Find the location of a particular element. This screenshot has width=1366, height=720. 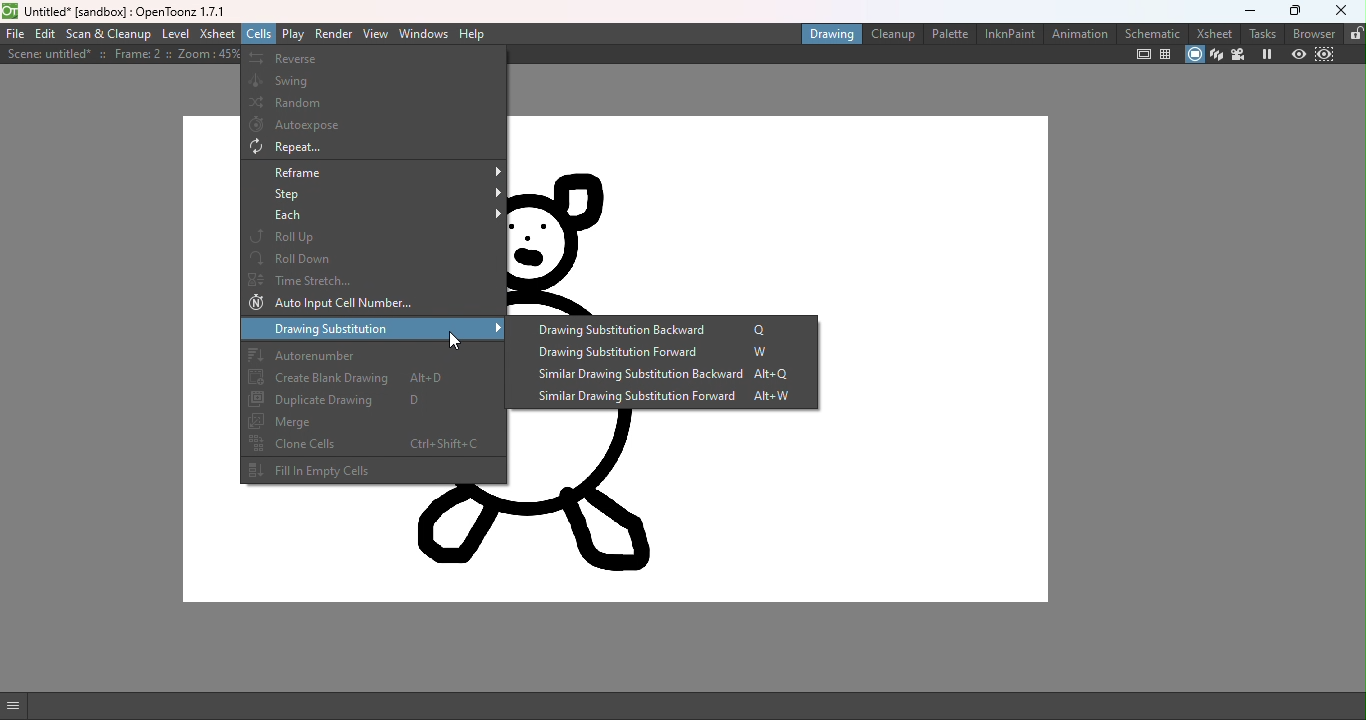

Merge is located at coordinates (373, 421).